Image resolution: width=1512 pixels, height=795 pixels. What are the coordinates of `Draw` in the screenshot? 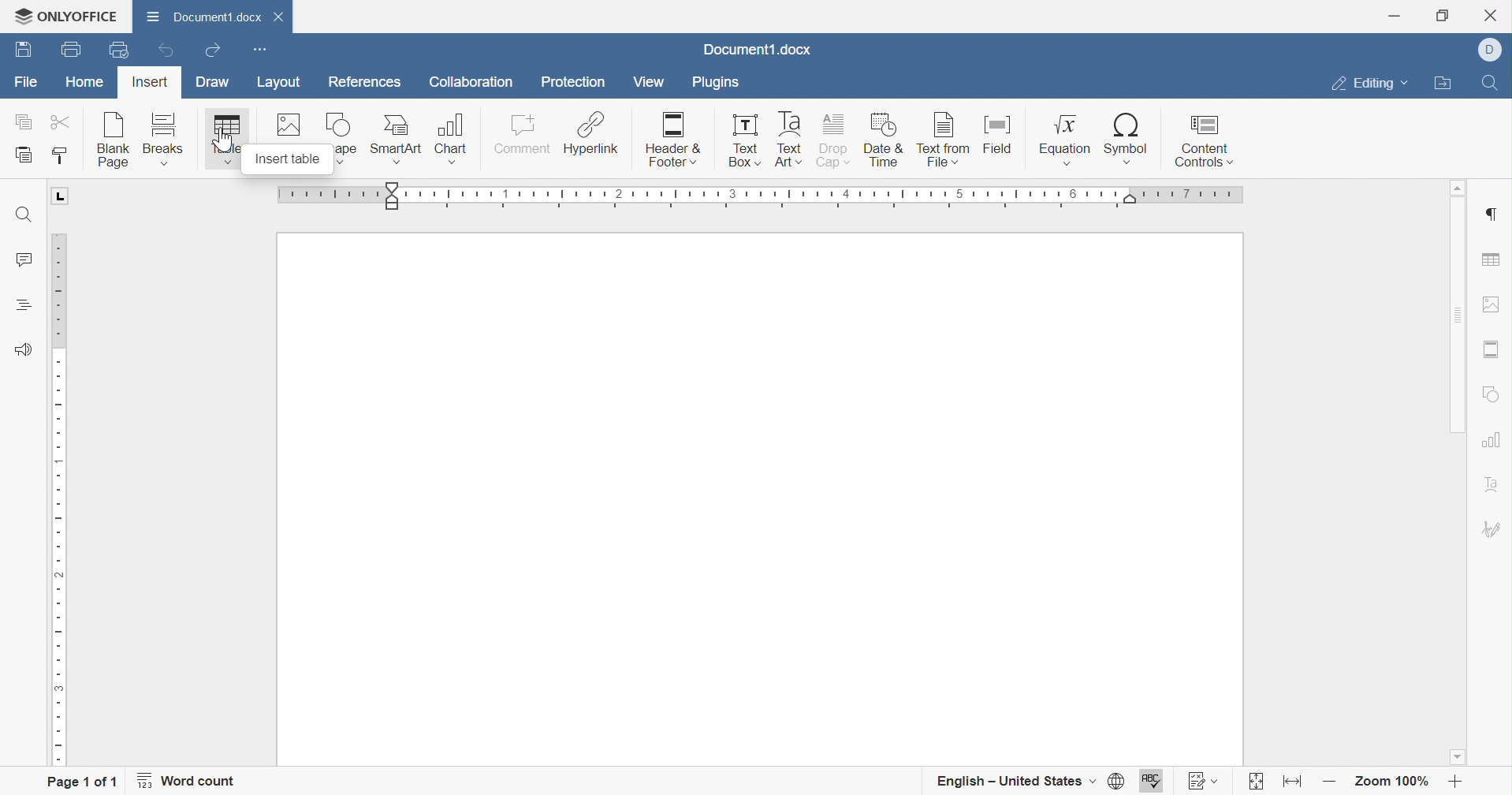 It's located at (212, 84).